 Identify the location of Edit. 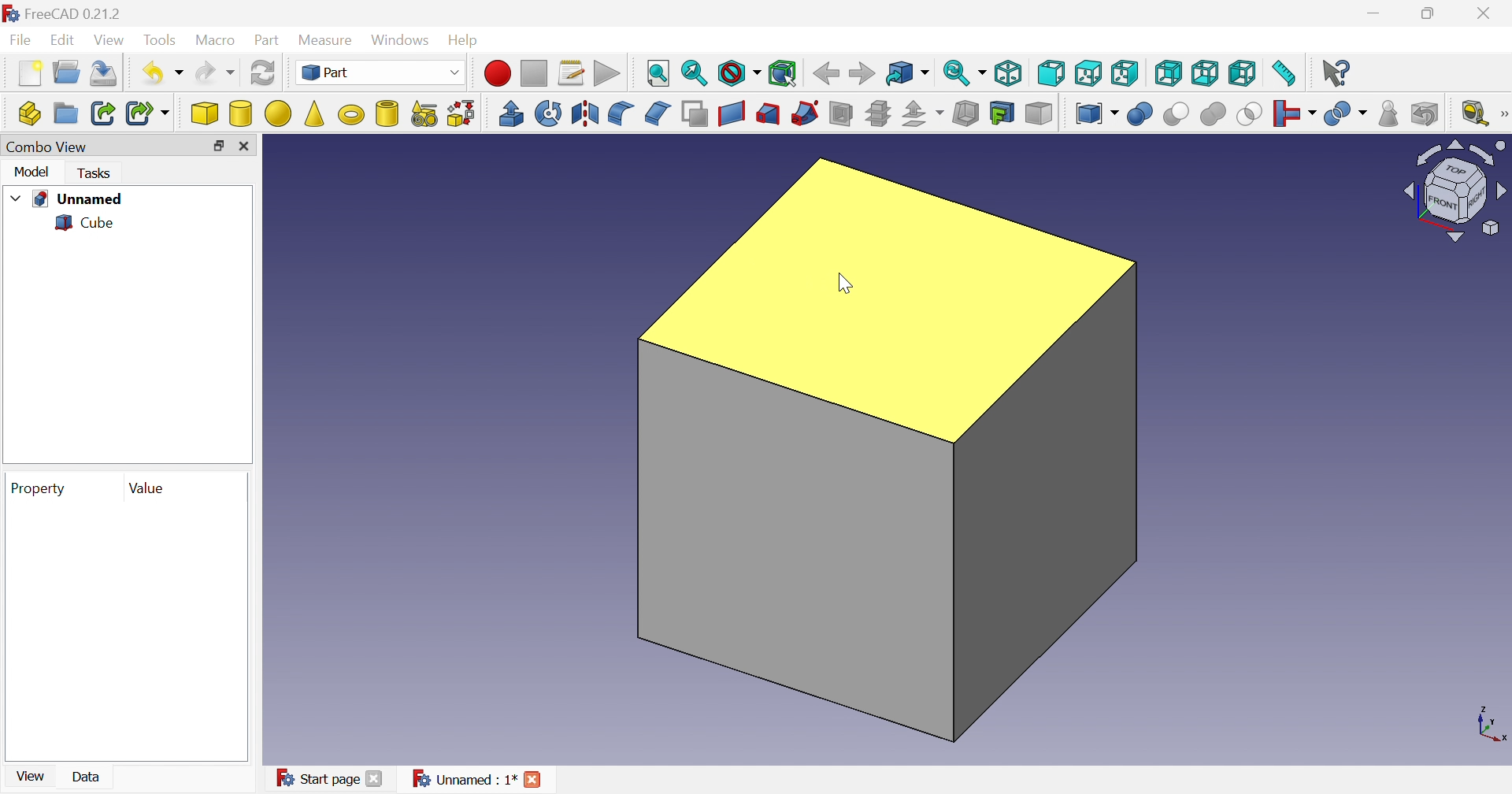
(62, 38).